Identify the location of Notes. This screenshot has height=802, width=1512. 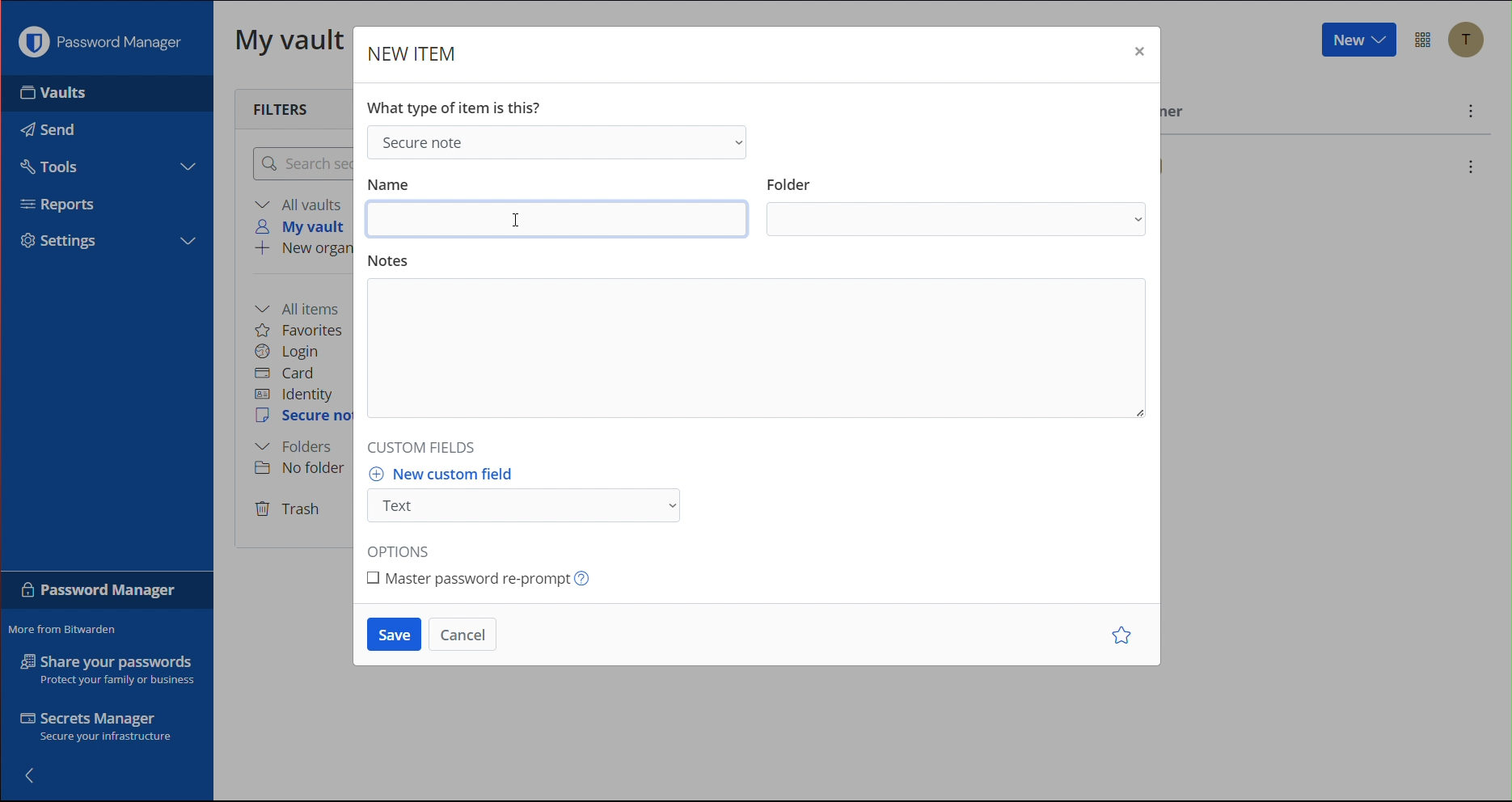
(391, 261).